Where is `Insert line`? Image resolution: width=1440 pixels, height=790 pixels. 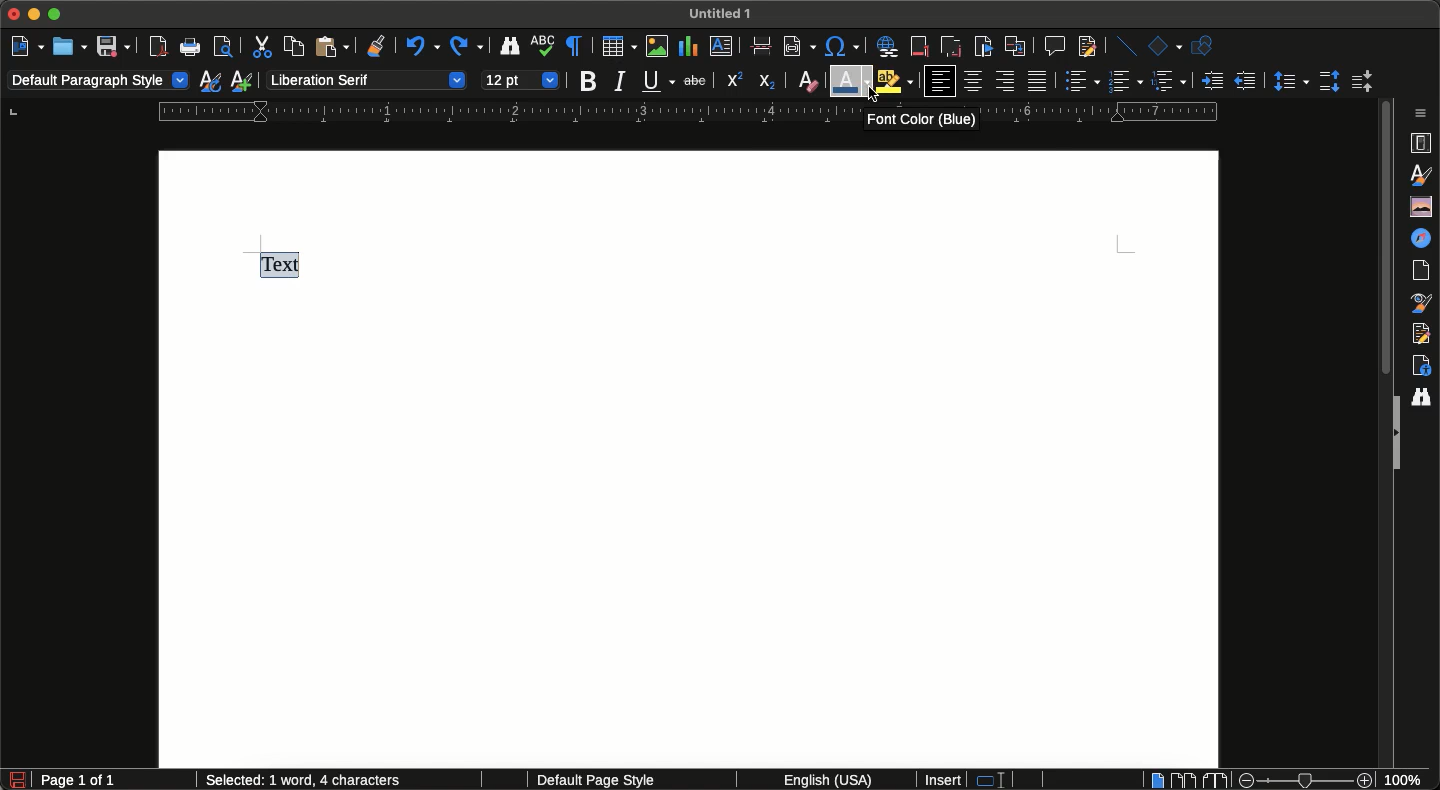 Insert line is located at coordinates (1127, 45).